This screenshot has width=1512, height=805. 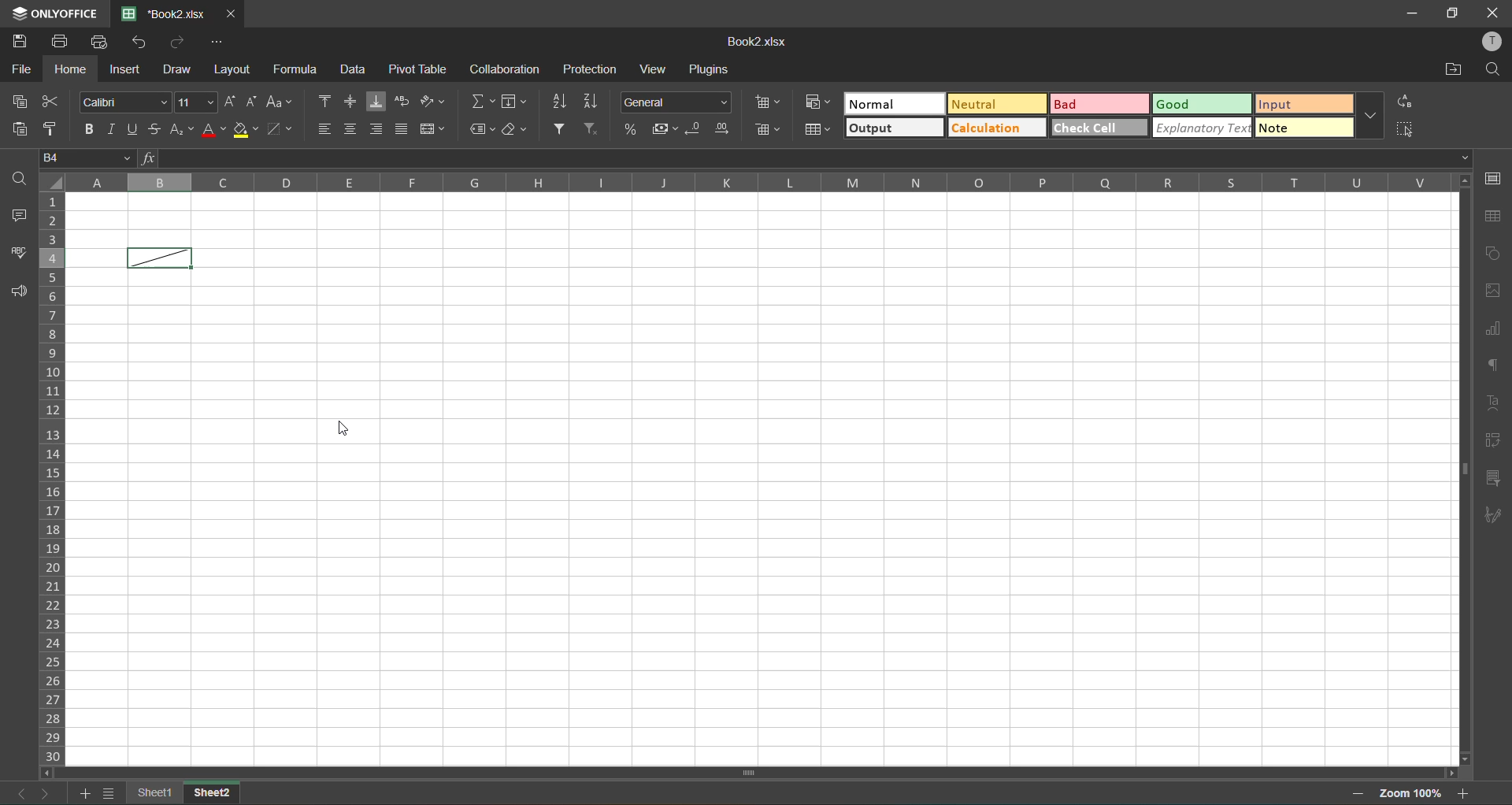 I want to click on book2.xlsx, so click(x=169, y=14).